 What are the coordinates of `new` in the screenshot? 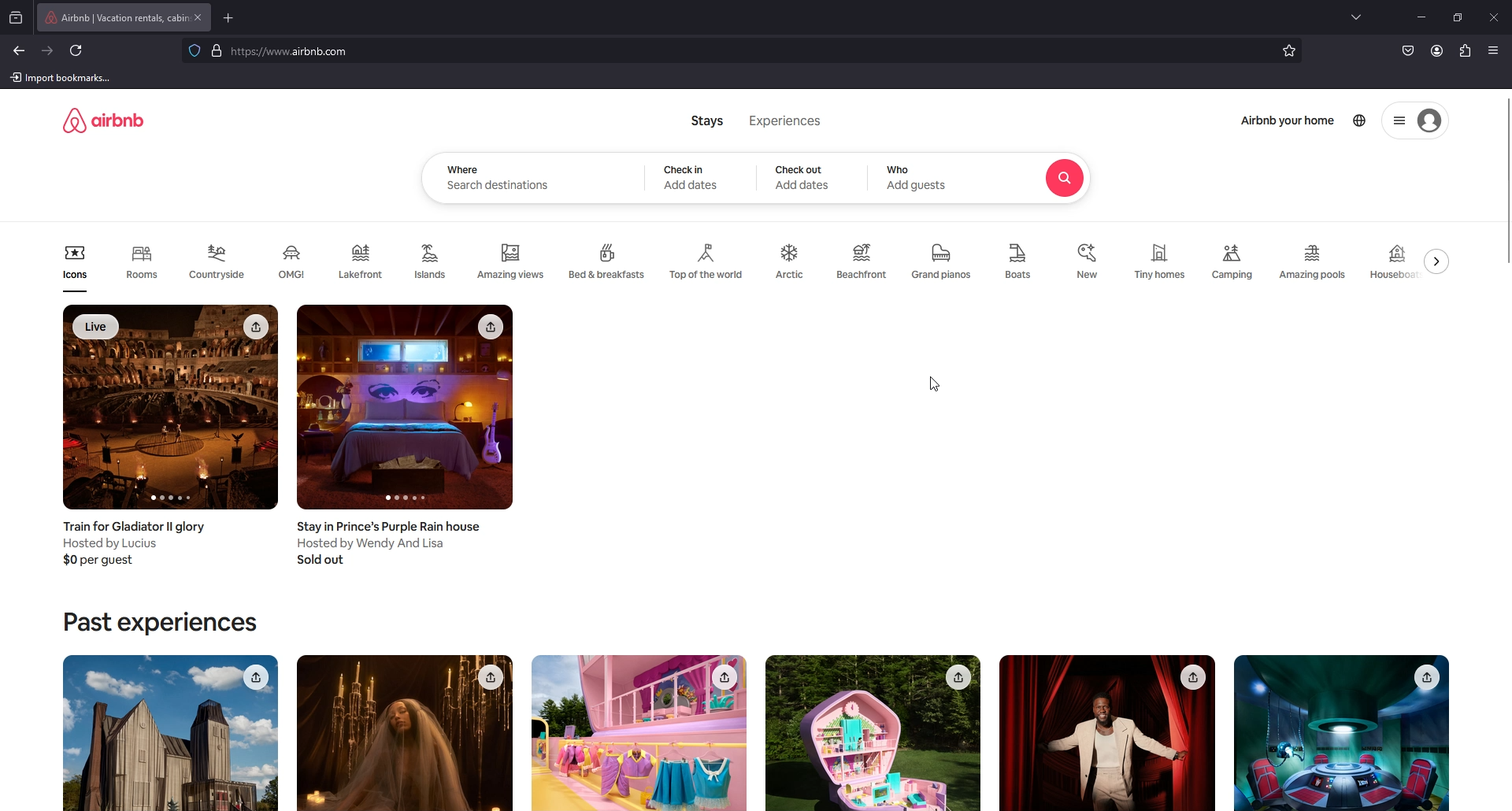 It's located at (1089, 261).